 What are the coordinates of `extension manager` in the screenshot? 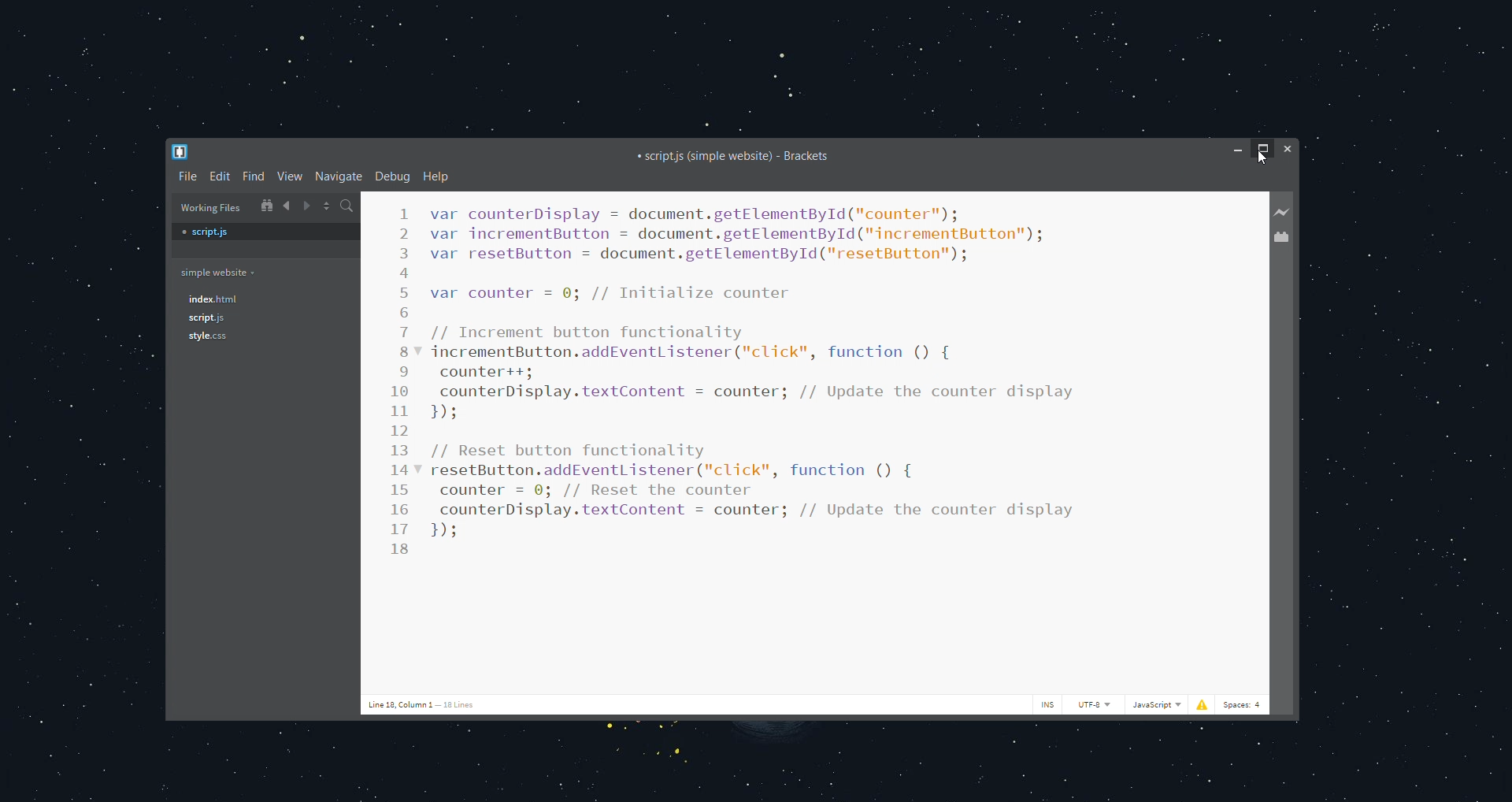 It's located at (1285, 236).